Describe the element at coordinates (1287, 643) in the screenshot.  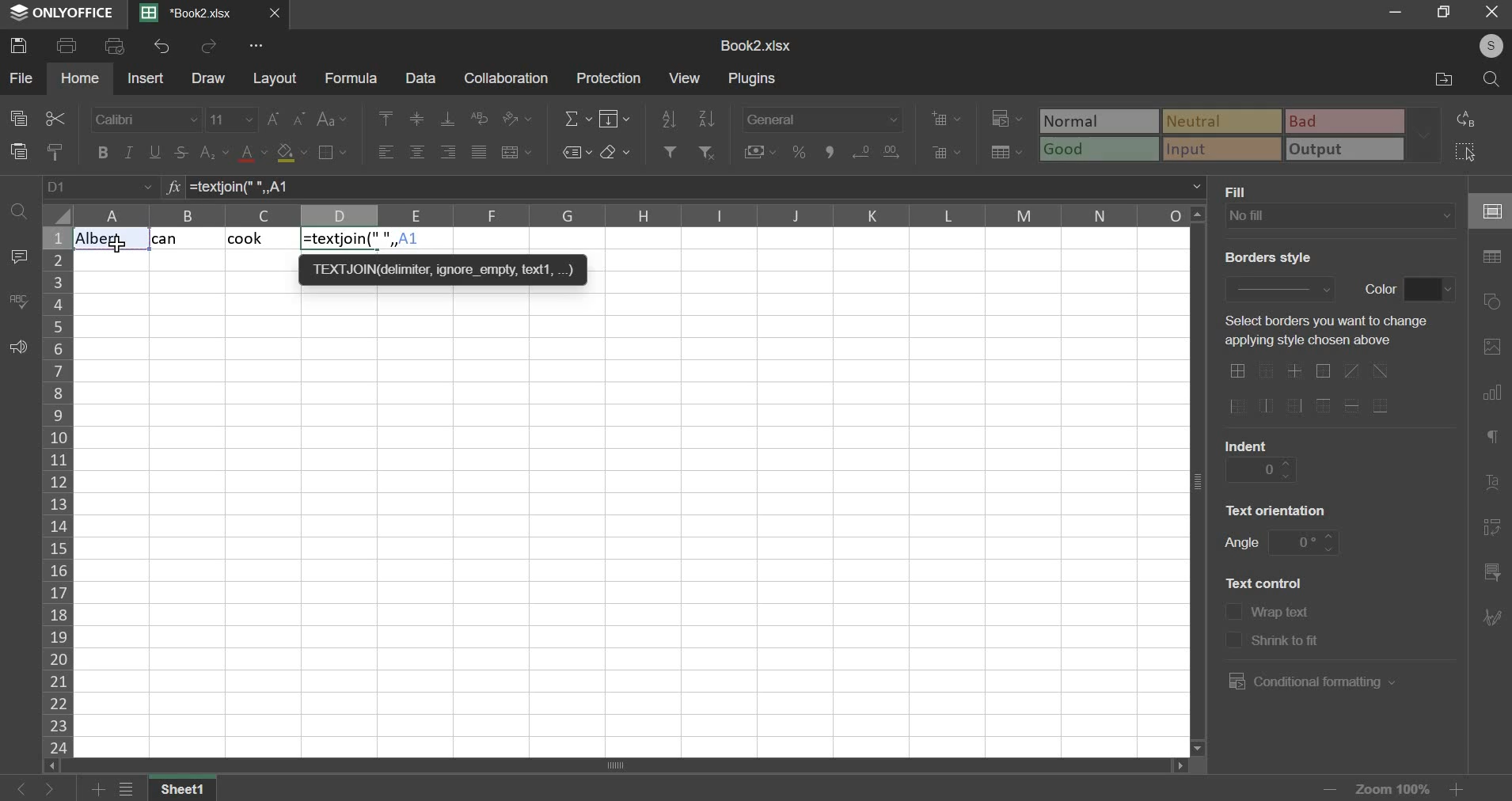
I see `text` at that location.